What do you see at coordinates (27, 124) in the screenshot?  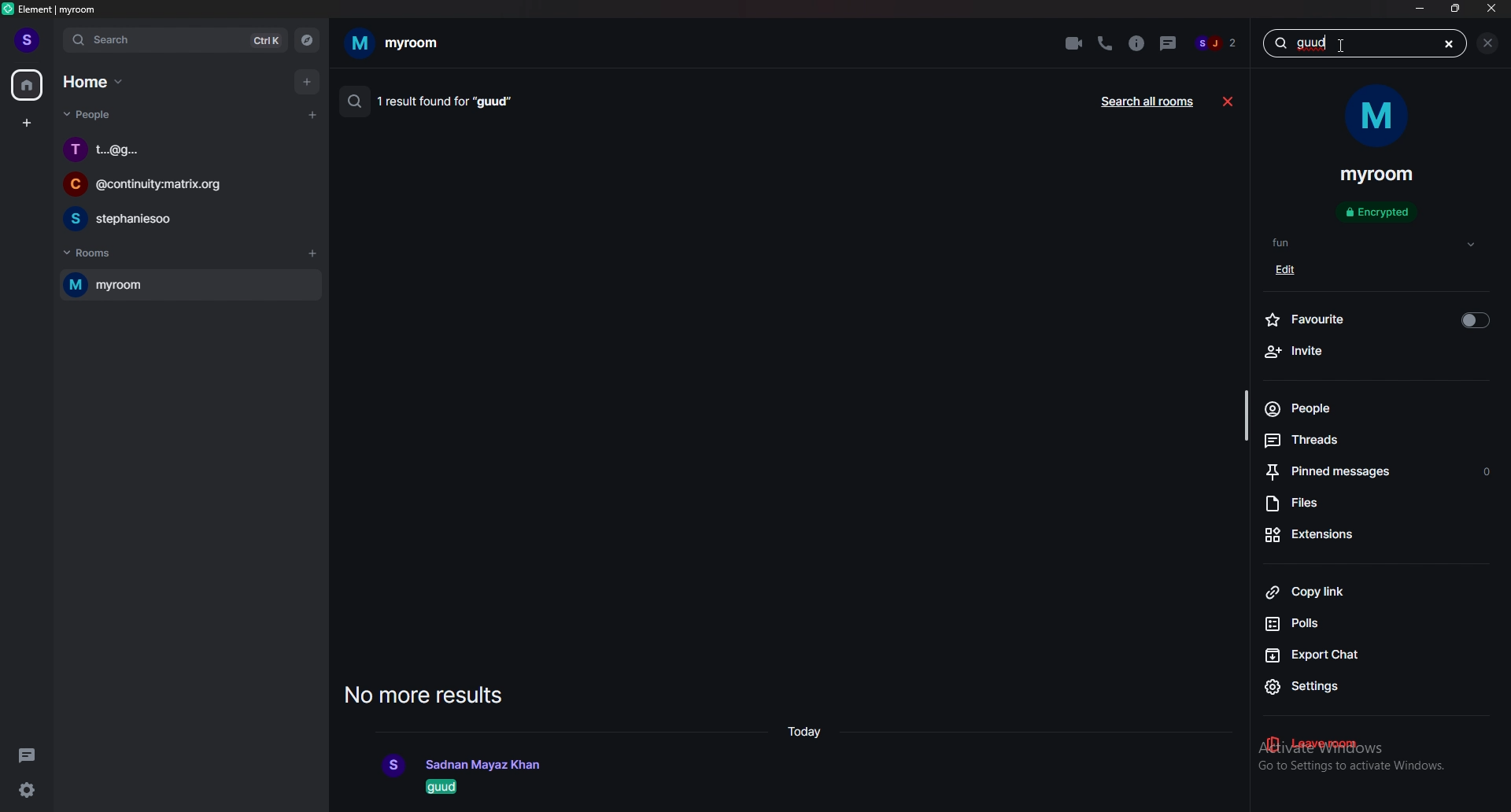 I see `create space` at bounding box center [27, 124].